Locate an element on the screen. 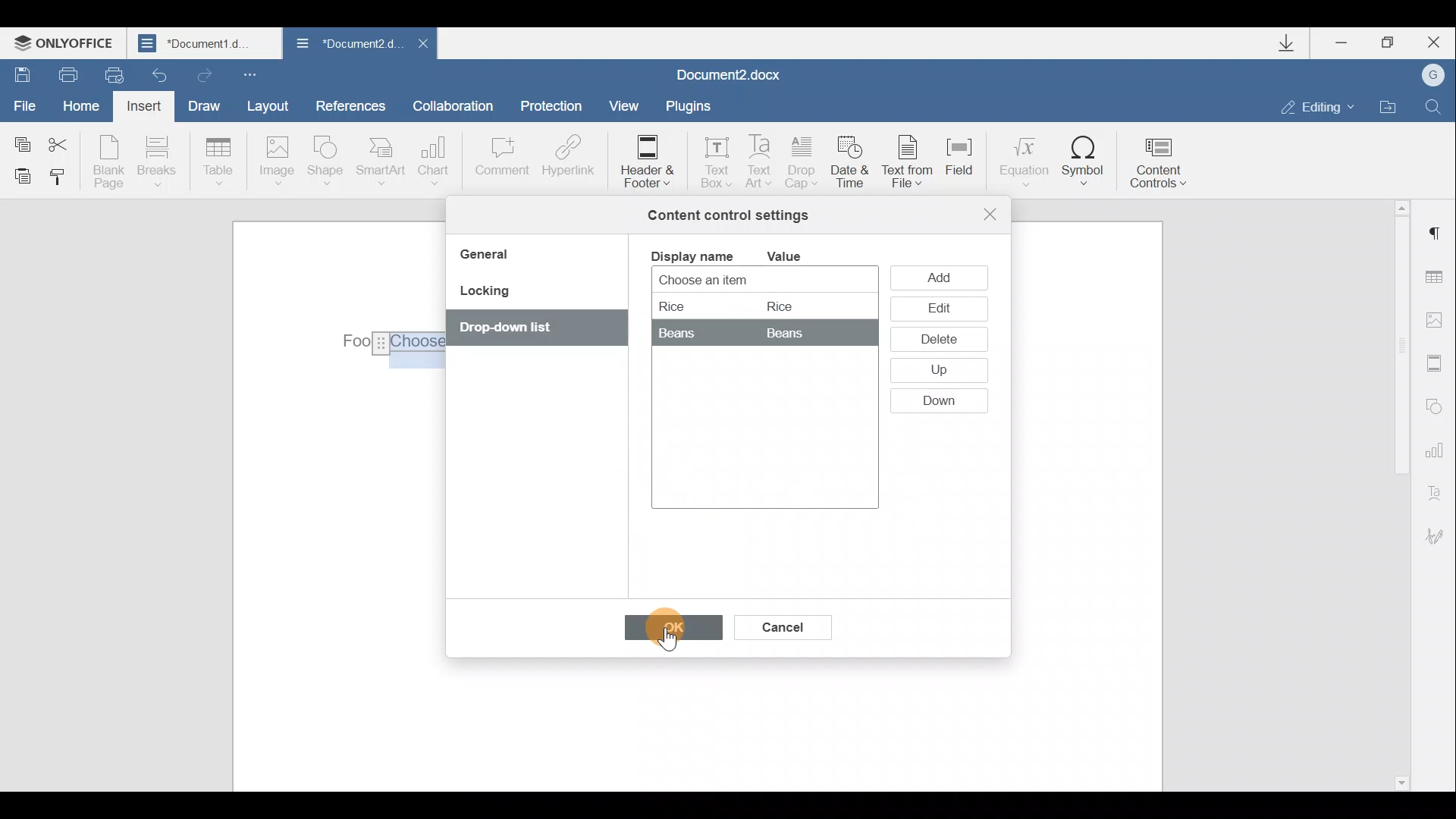 The image size is (1456, 819). Symbol is located at coordinates (1084, 160).